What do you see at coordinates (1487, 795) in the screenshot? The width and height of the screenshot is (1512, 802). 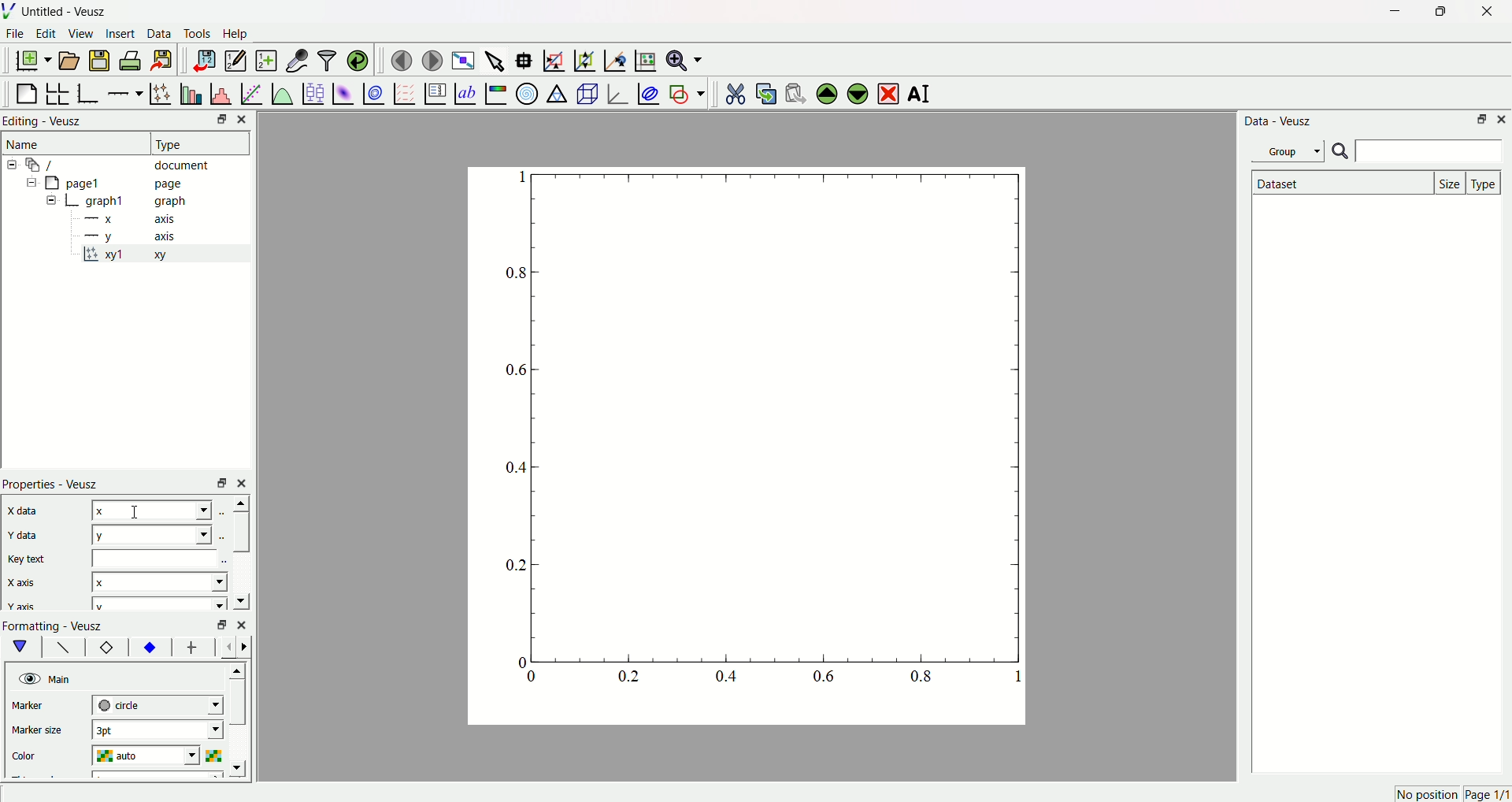 I see `page 1/1` at bounding box center [1487, 795].